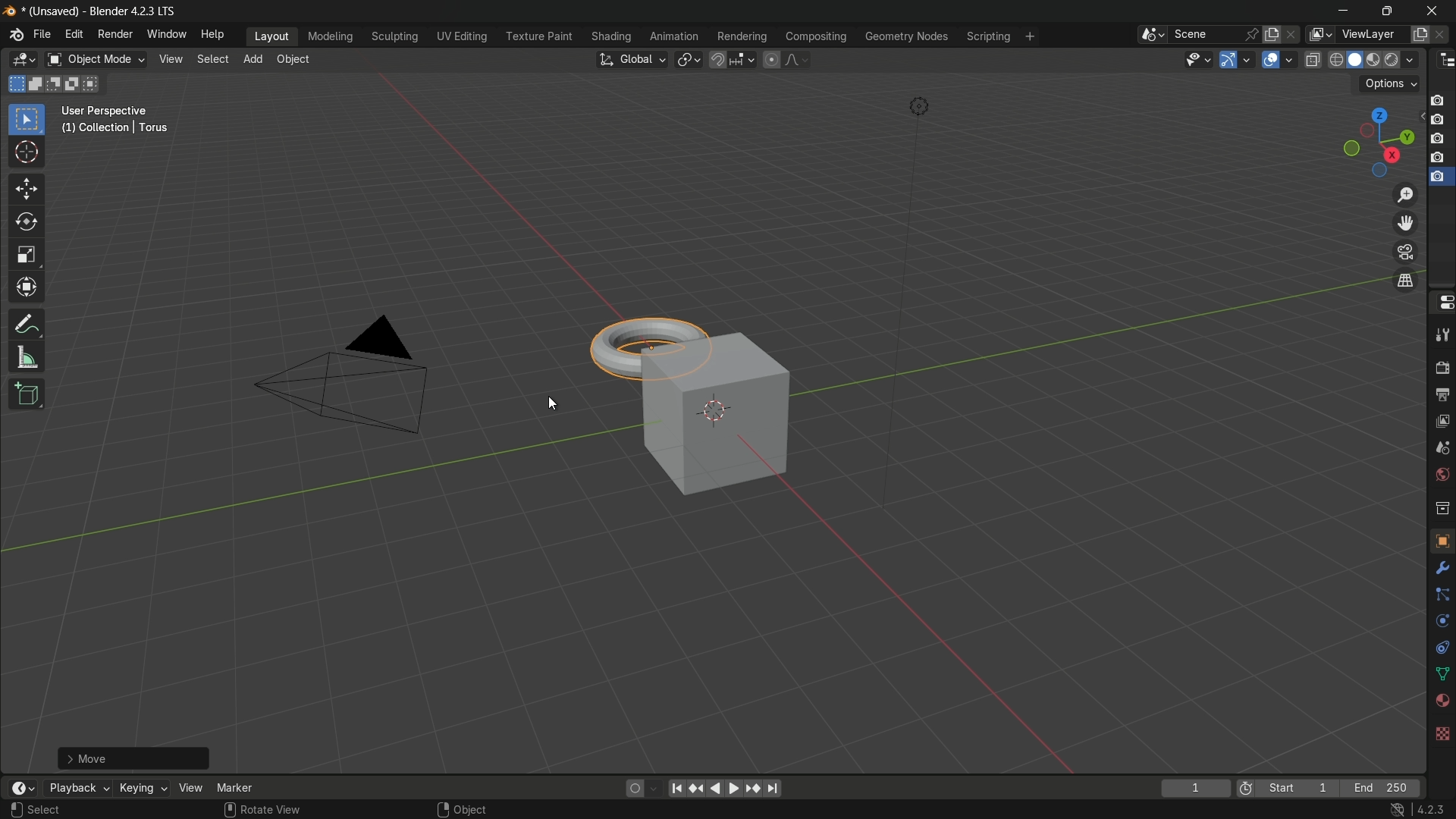  I want to click on scene, so click(1204, 34).